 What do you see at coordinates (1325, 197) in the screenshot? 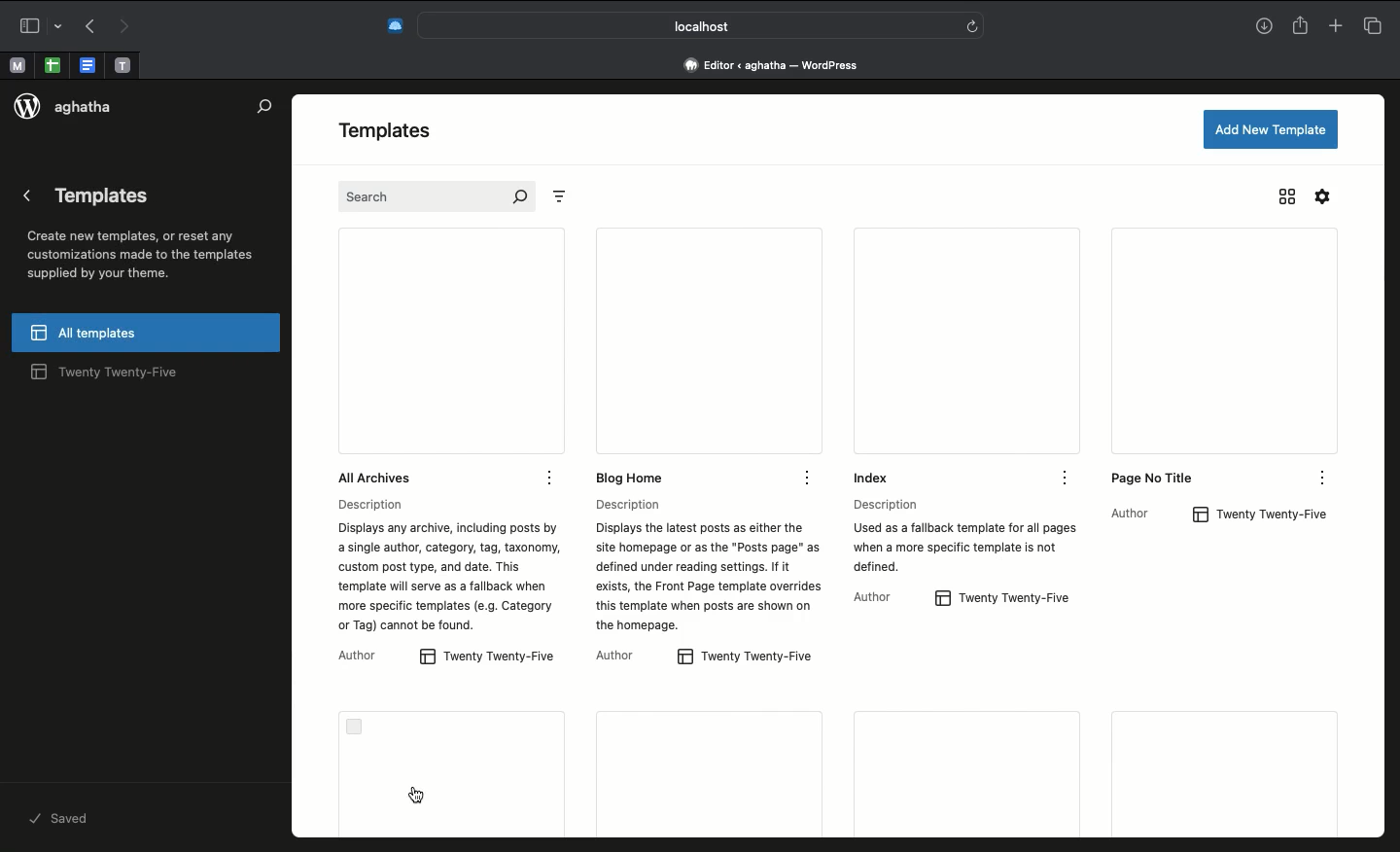
I see `Settings` at bounding box center [1325, 197].